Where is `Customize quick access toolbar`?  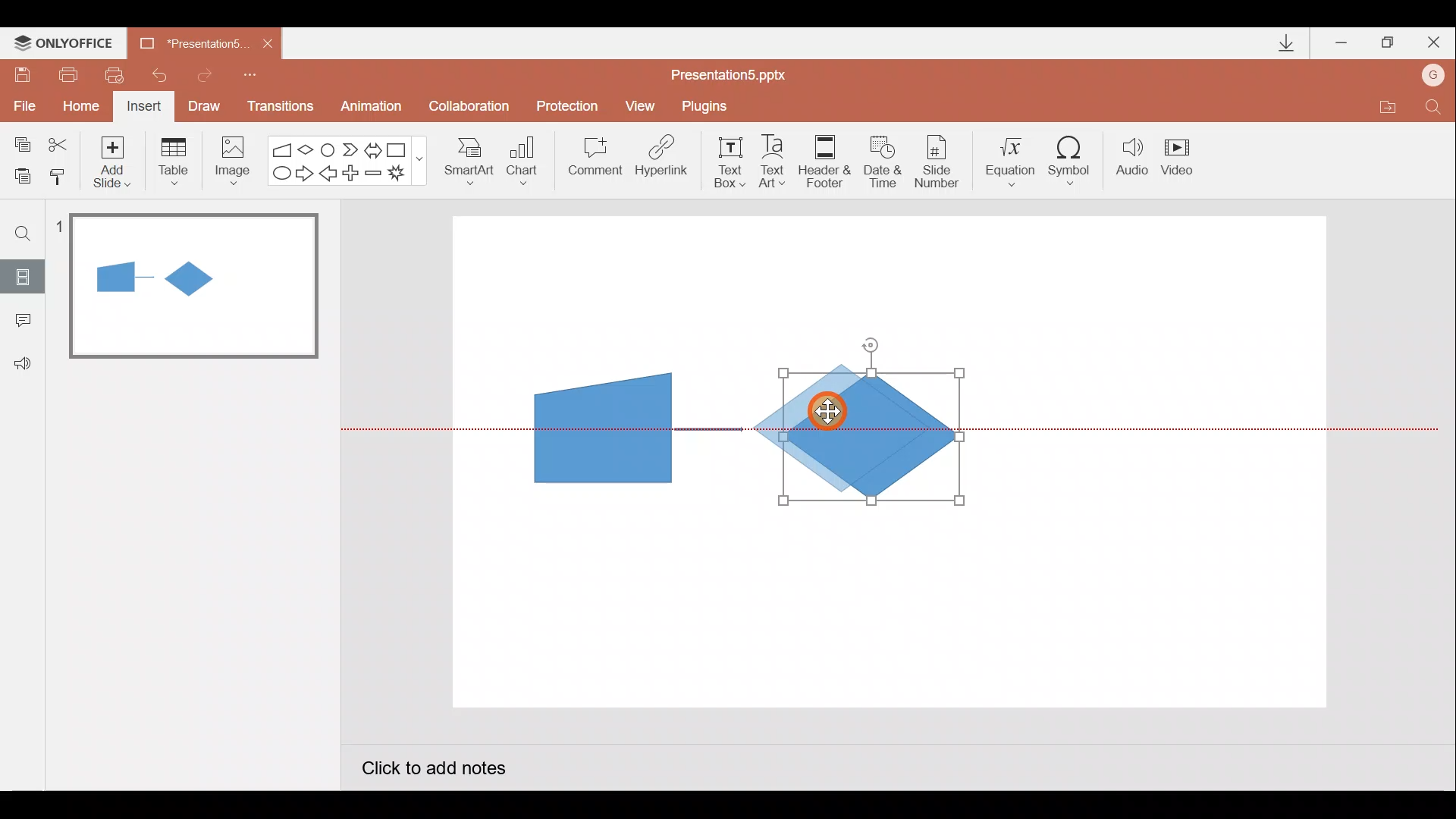
Customize quick access toolbar is located at coordinates (250, 73).